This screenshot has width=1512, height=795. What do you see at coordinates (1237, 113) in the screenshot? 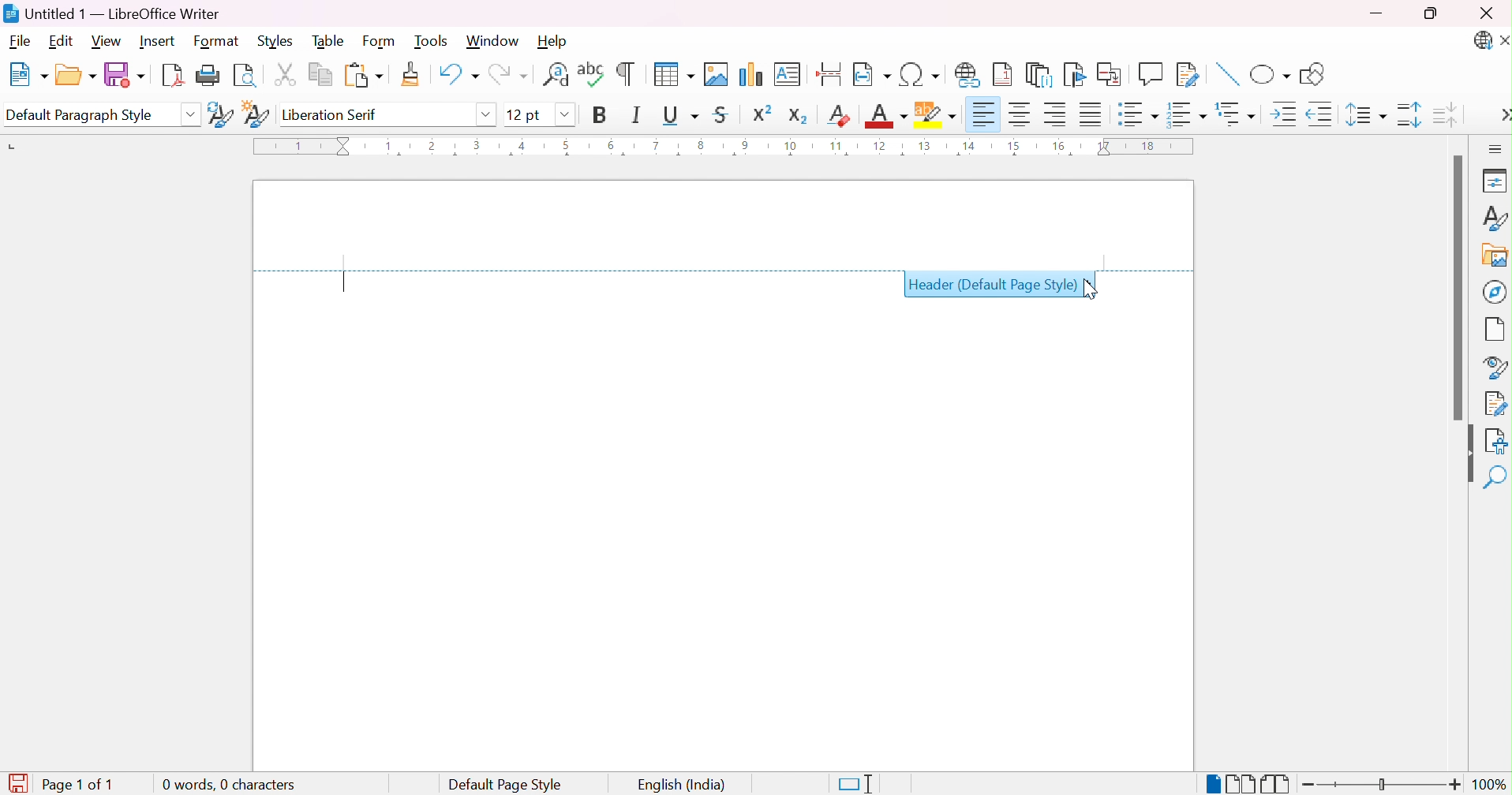
I see `Select outline format` at bounding box center [1237, 113].